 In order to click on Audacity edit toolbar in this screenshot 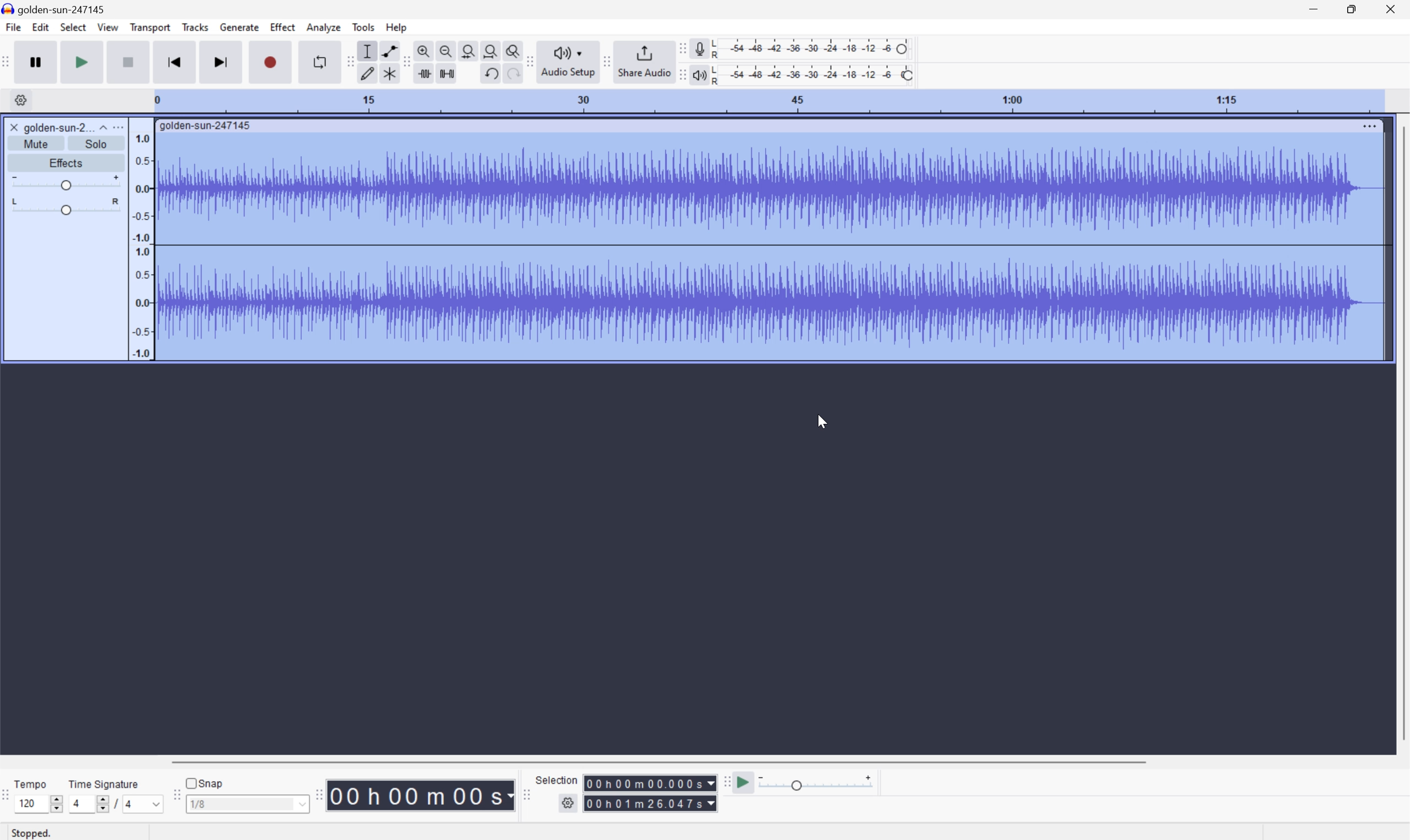, I will do `click(407, 63)`.